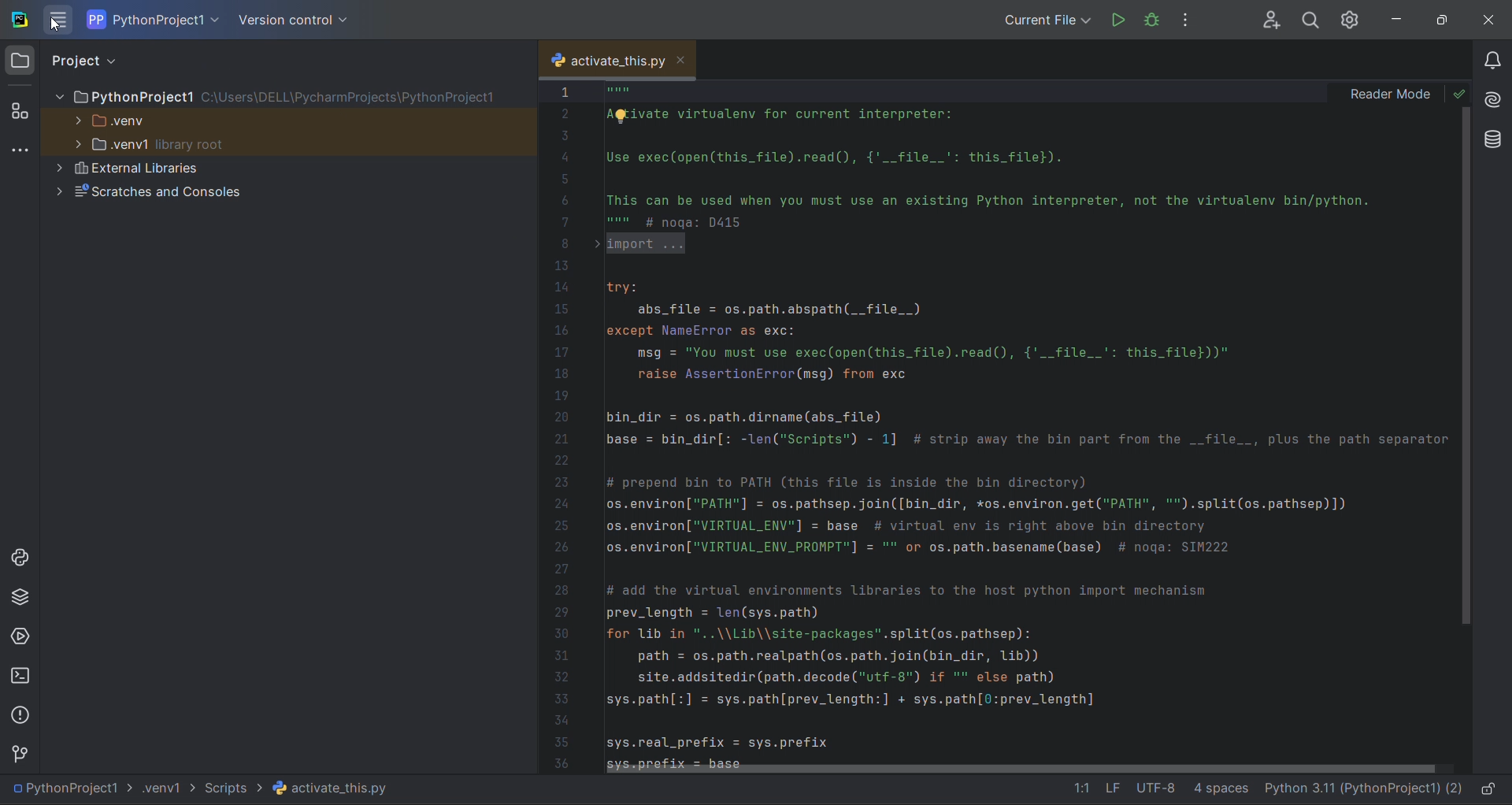  I want to click on lock, so click(1492, 789).